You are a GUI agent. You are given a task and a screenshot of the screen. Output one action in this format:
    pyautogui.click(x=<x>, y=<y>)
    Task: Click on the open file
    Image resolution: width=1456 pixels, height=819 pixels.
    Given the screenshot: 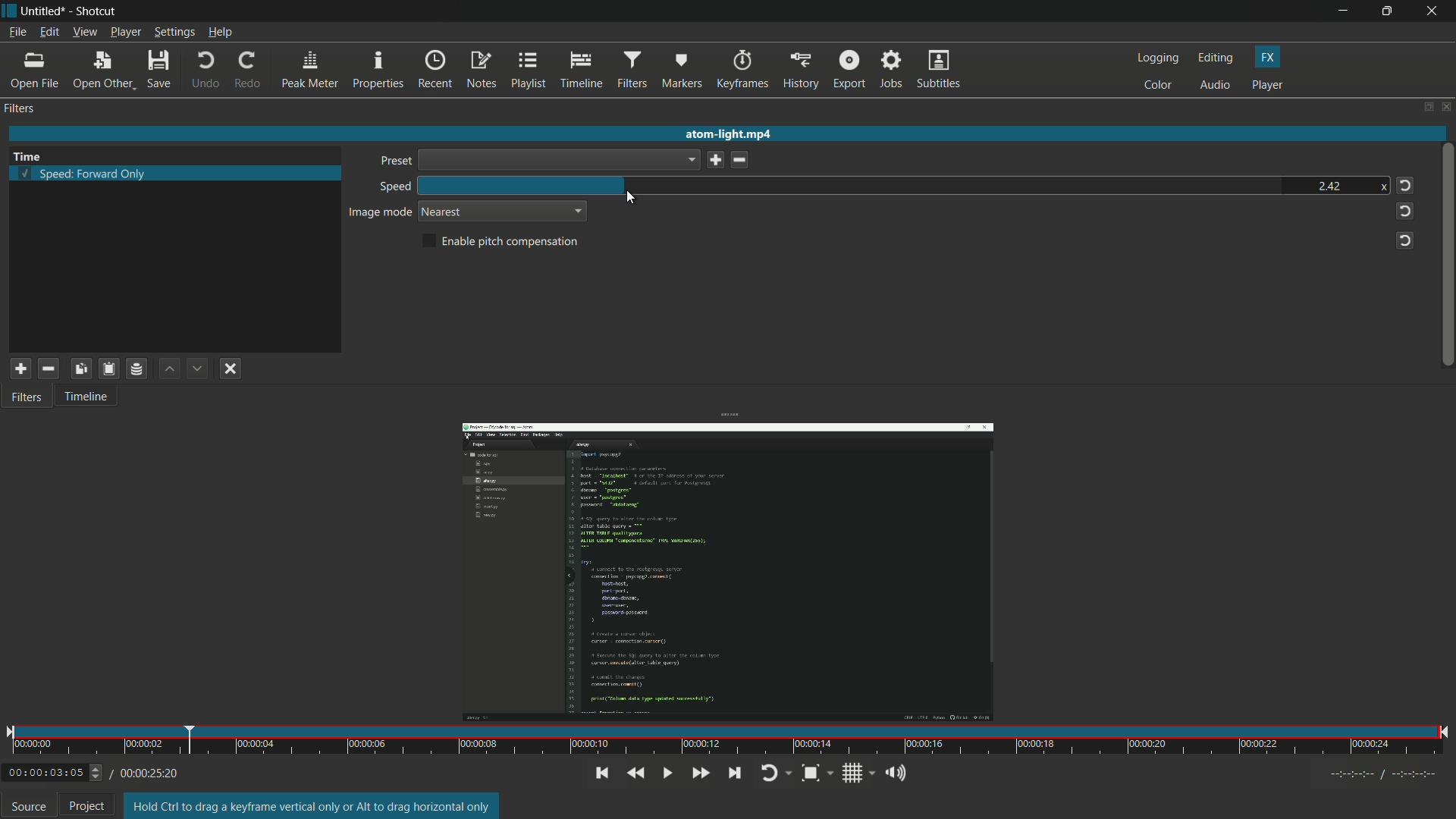 What is the action you would take?
    pyautogui.click(x=34, y=71)
    